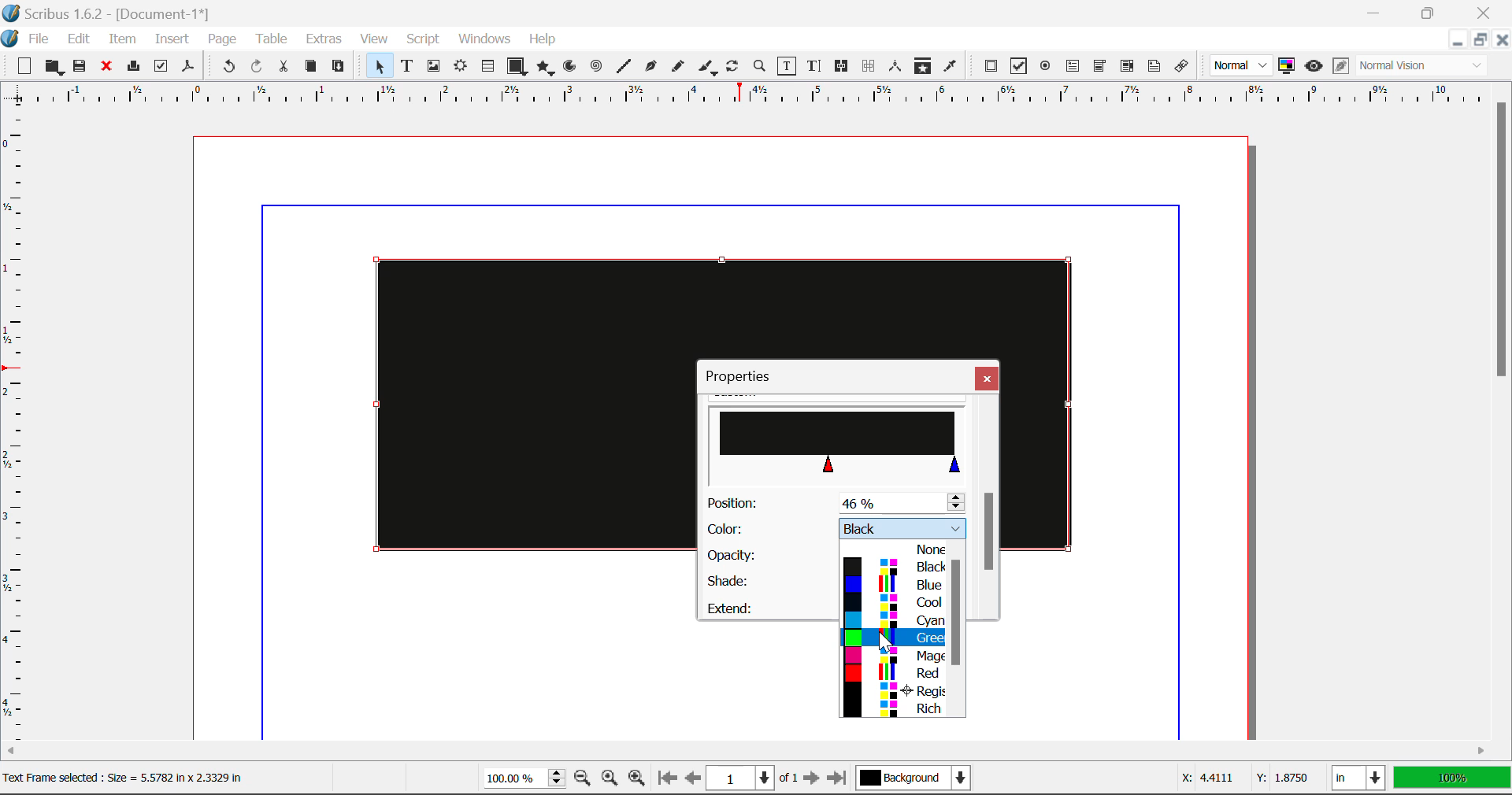 The image size is (1512, 795). Describe the element at coordinates (960, 612) in the screenshot. I see `vertical scroll bar` at that location.